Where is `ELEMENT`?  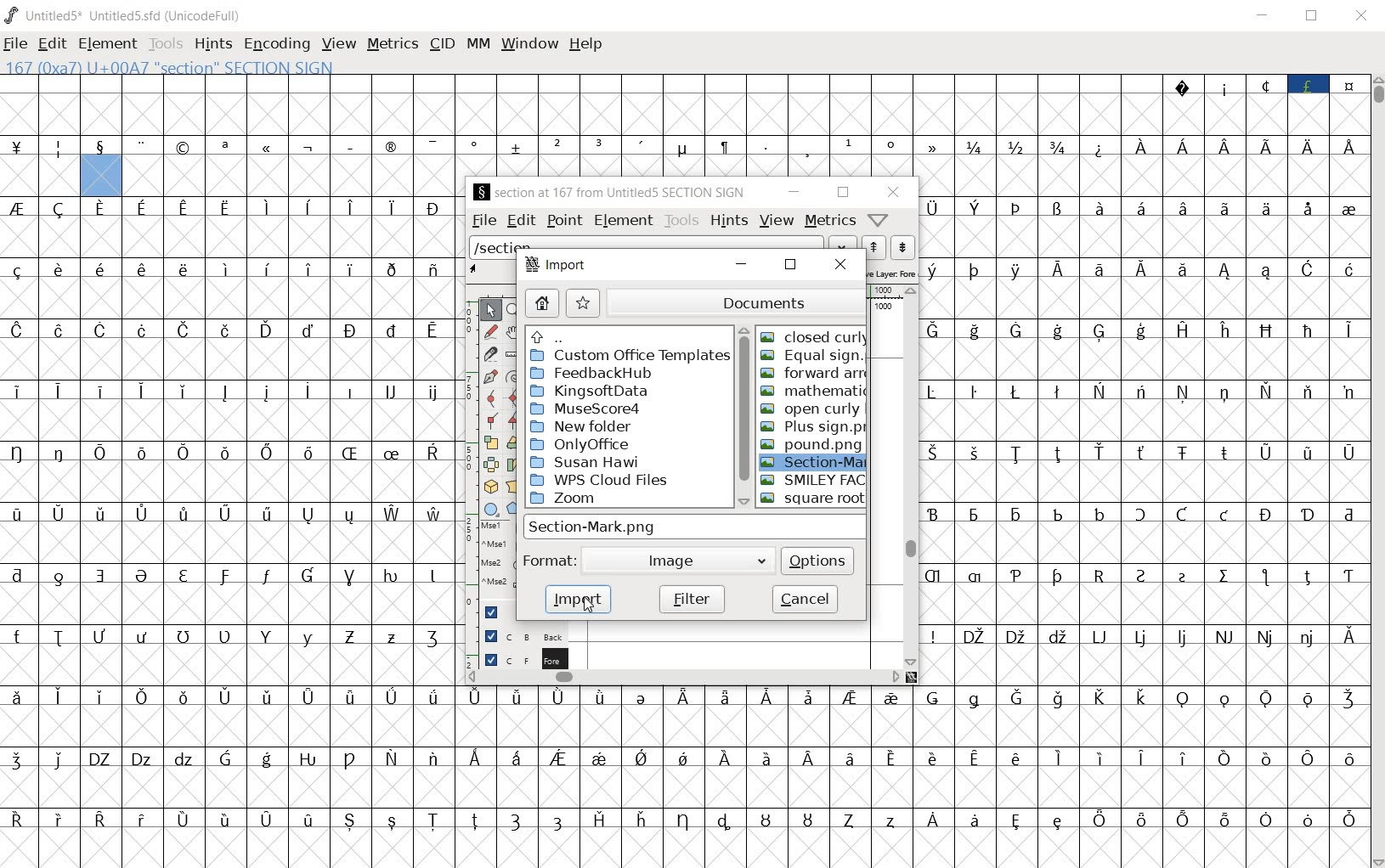 ELEMENT is located at coordinates (108, 44).